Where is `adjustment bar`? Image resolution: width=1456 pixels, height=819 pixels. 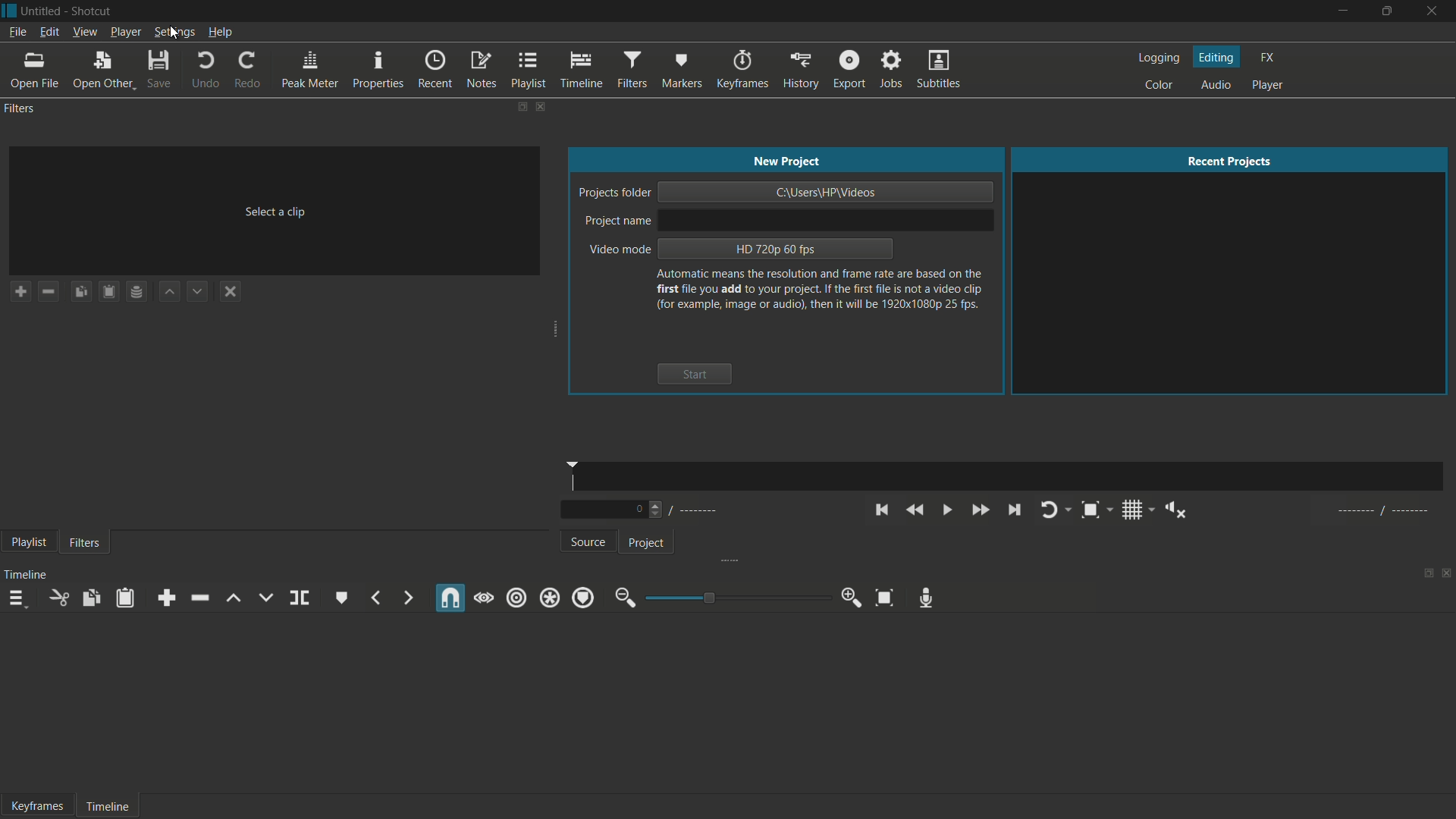
adjustment bar is located at coordinates (734, 598).